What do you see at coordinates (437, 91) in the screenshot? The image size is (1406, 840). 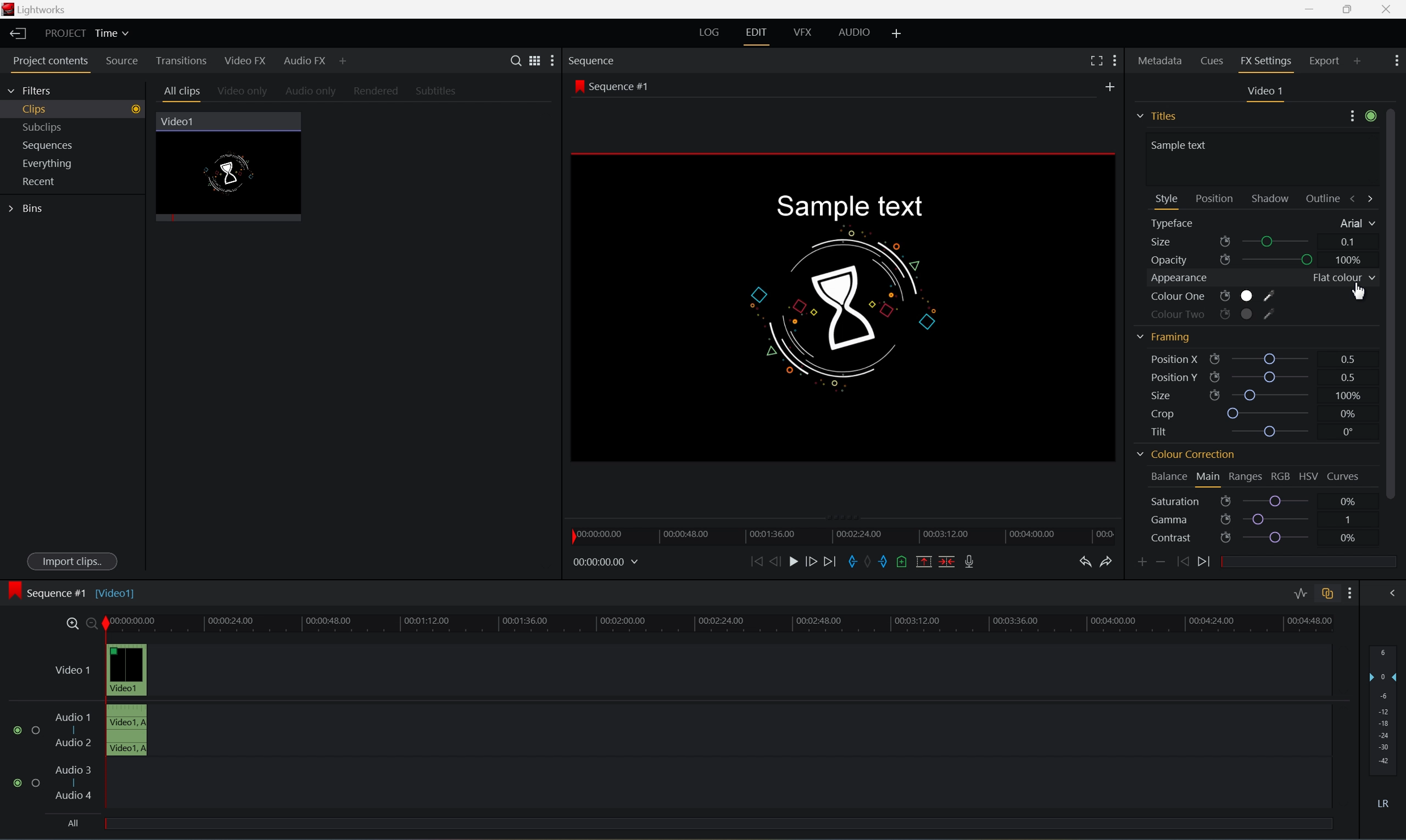 I see `Subtitles` at bounding box center [437, 91].